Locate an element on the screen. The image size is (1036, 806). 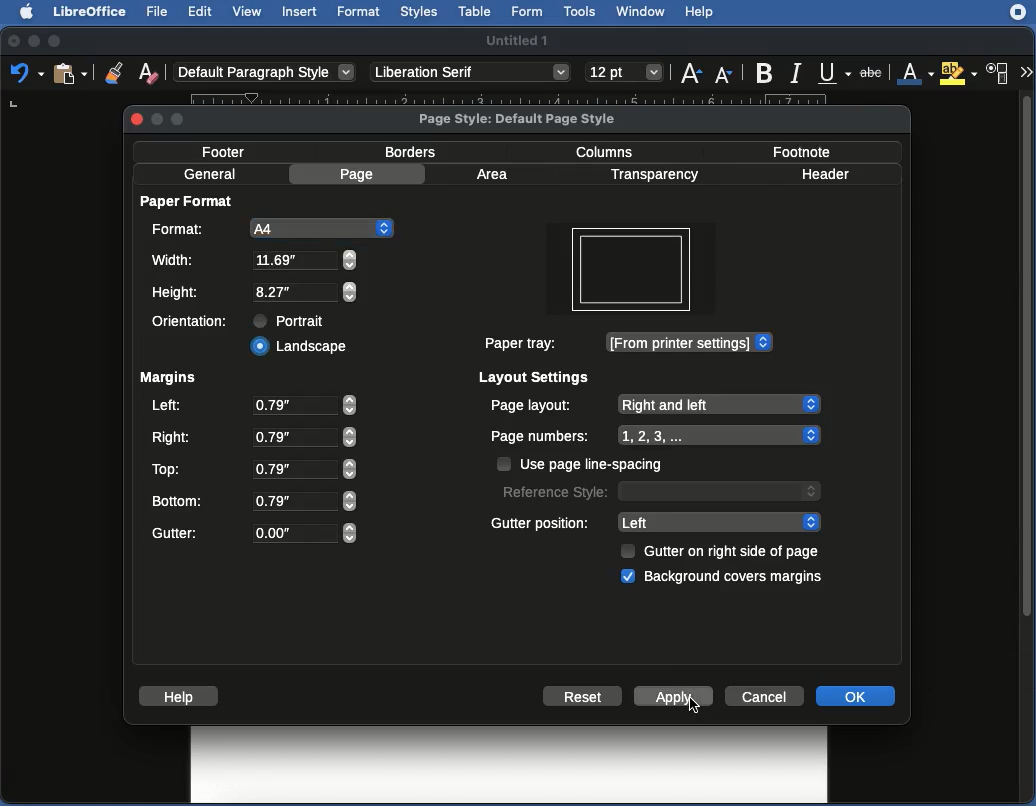
8.27 is located at coordinates (308, 260).